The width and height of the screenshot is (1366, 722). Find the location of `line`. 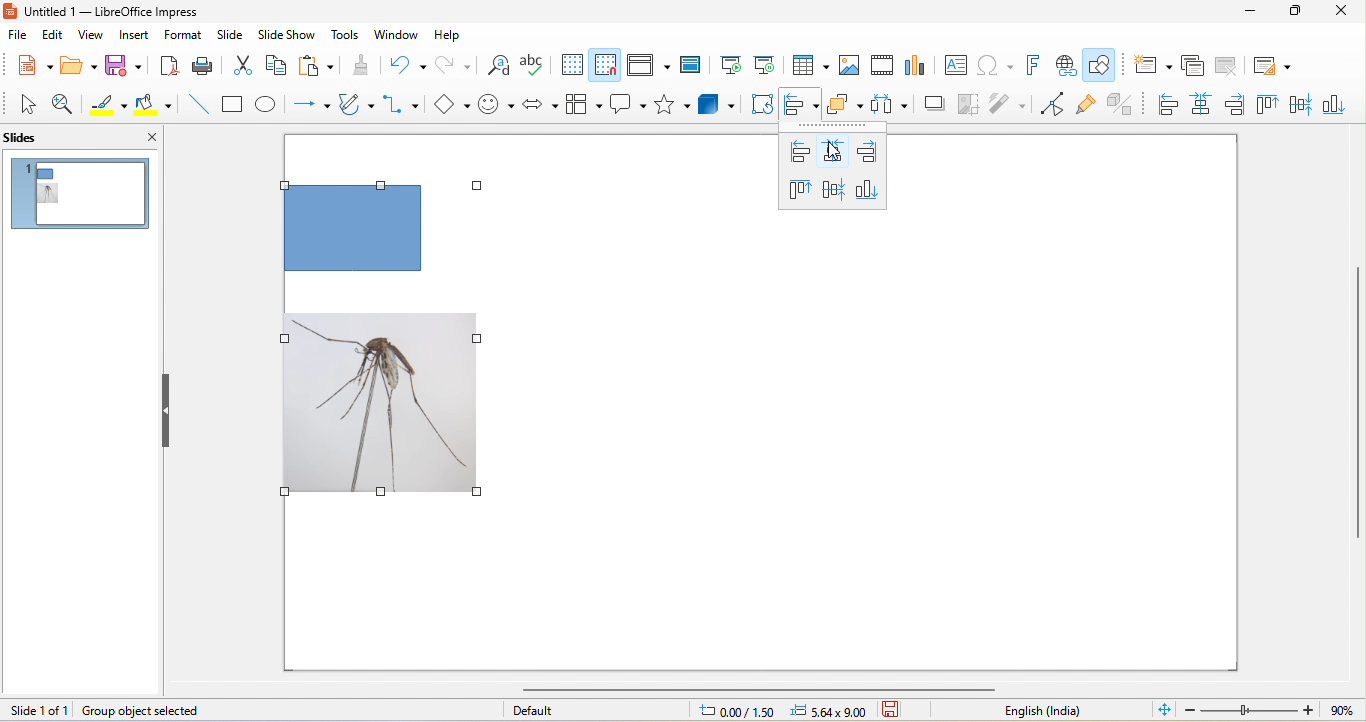

line is located at coordinates (201, 105).